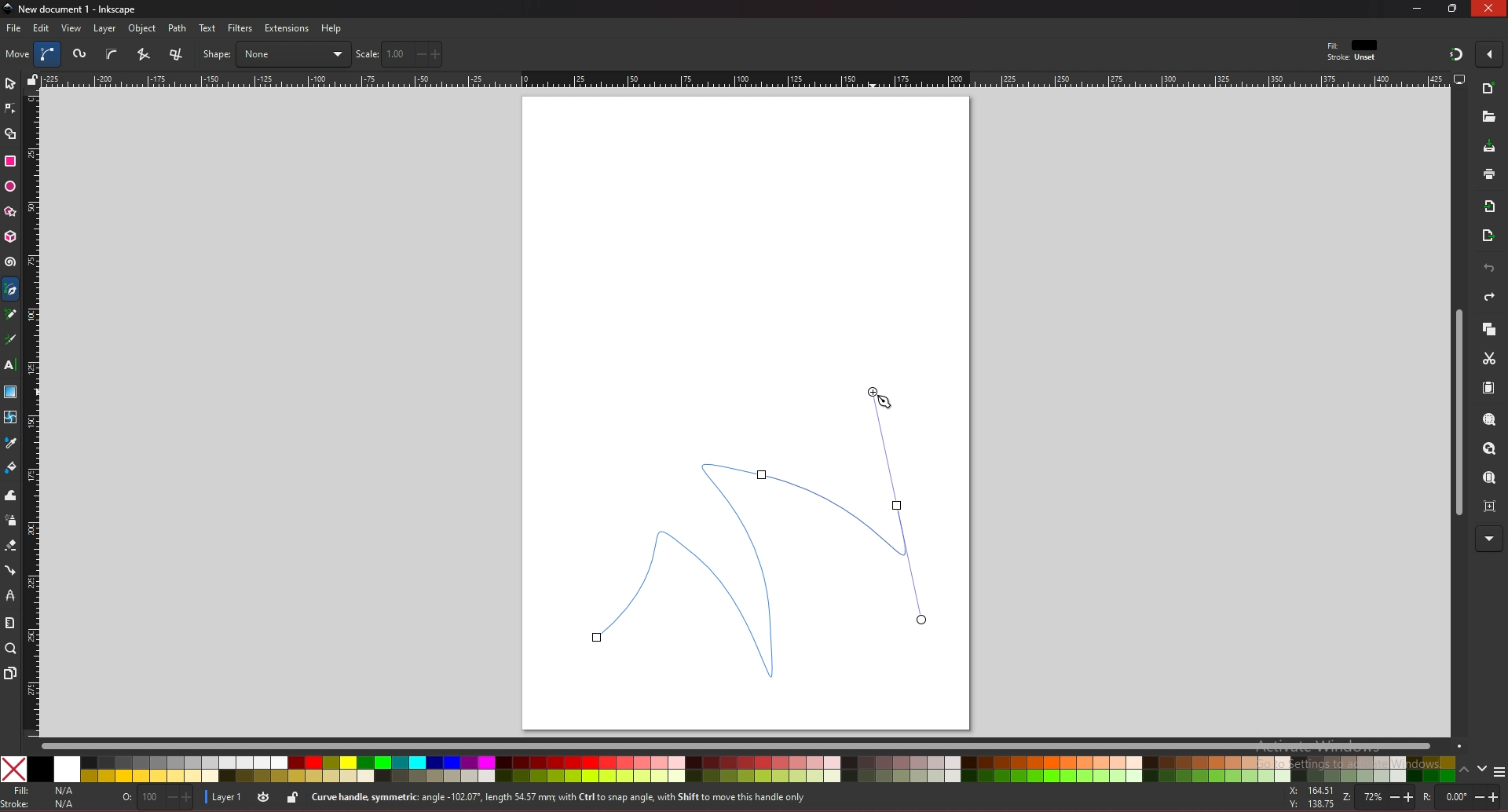 This screenshot has height=812, width=1508. Describe the element at coordinates (31, 415) in the screenshot. I see `vertical rule` at that location.